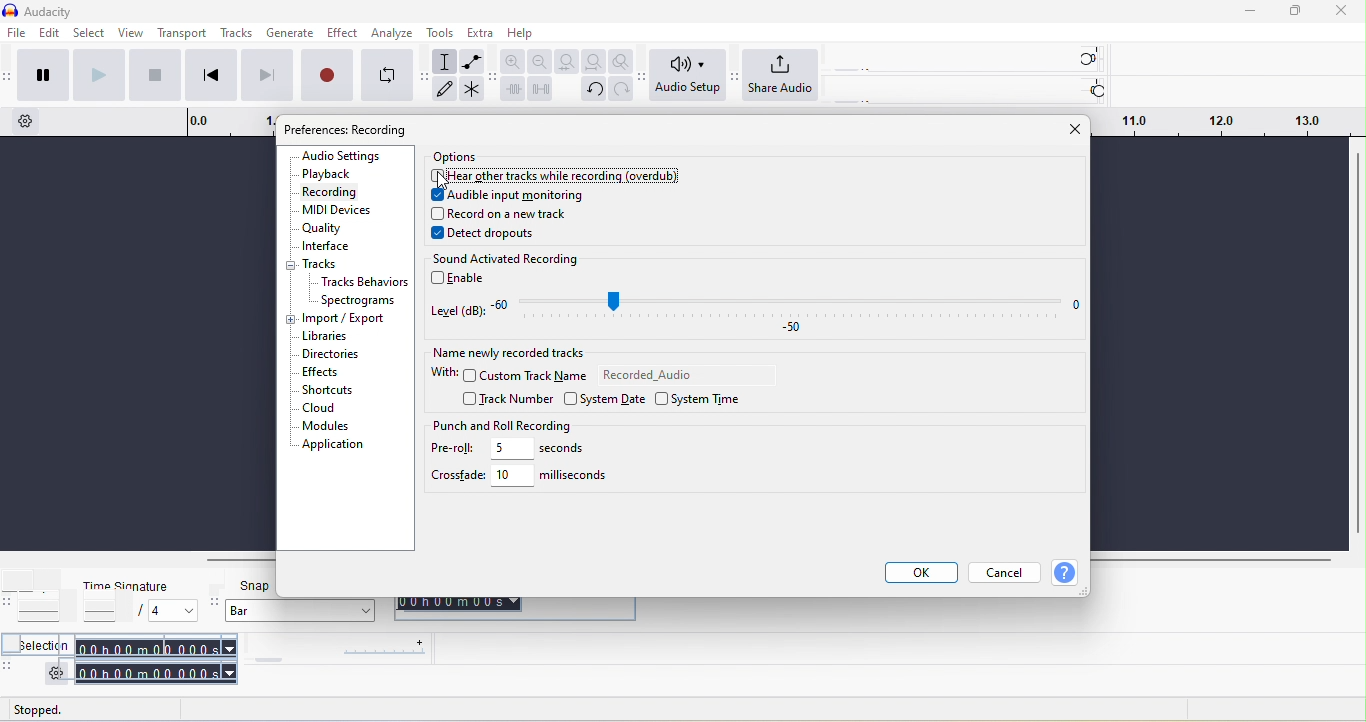  I want to click on minimize, so click(1252, 13).